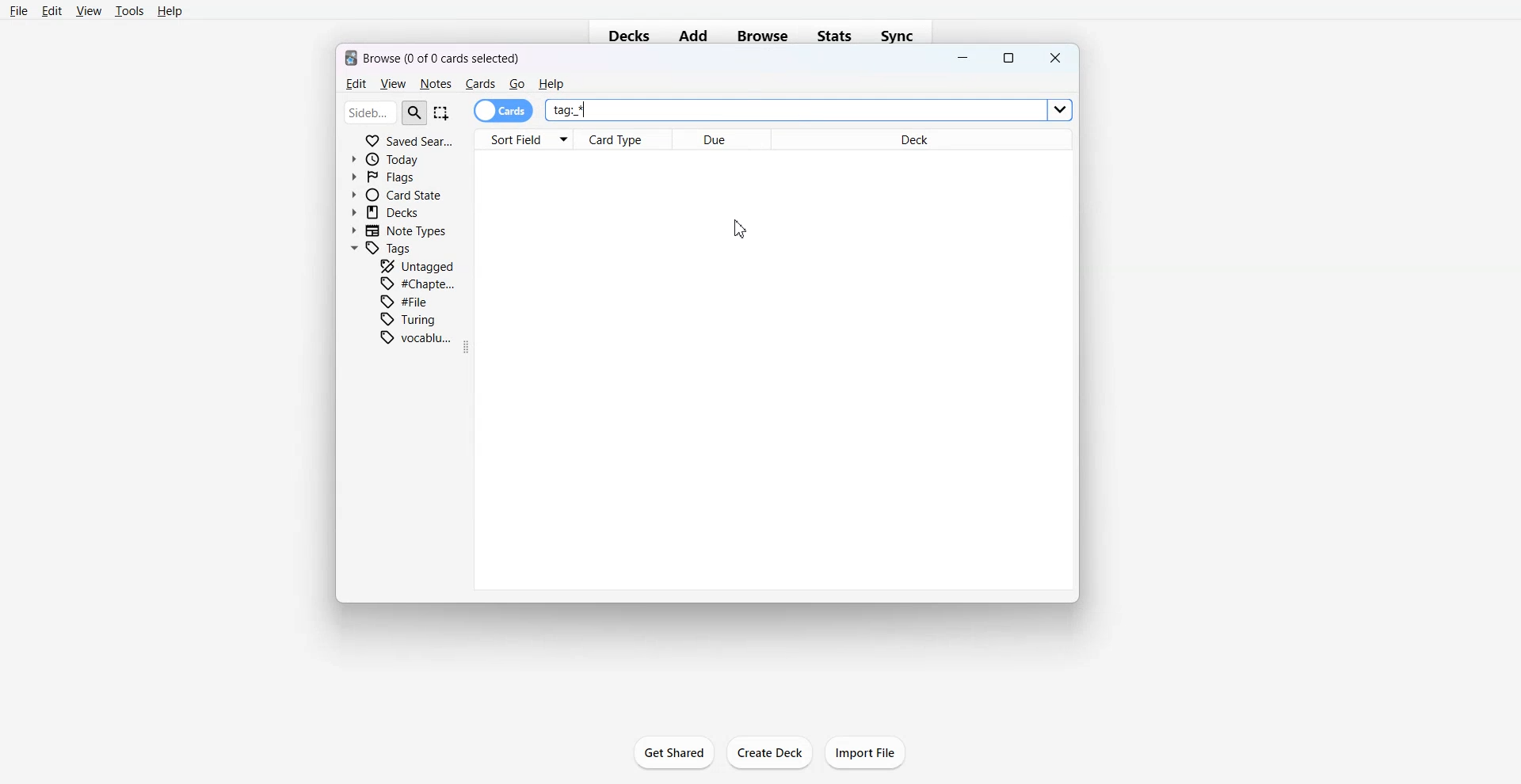 The height and width of the screenshot is (784, 1521). Describe the element at coordinates (469, 347) in the screenshot. I see `Drag Handle` at that location.